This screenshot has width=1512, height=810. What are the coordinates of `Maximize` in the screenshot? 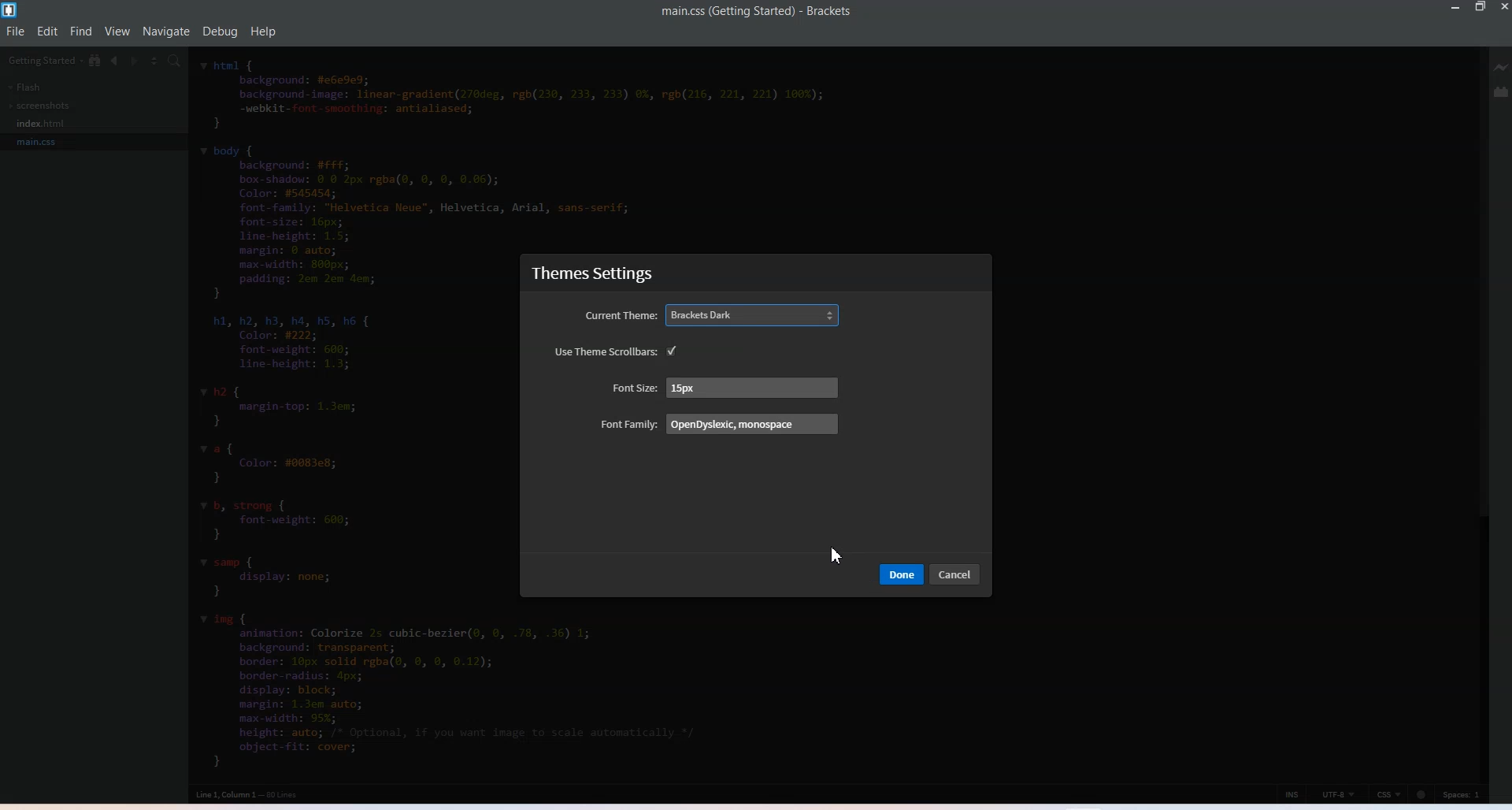 It's located at (1480, 7).